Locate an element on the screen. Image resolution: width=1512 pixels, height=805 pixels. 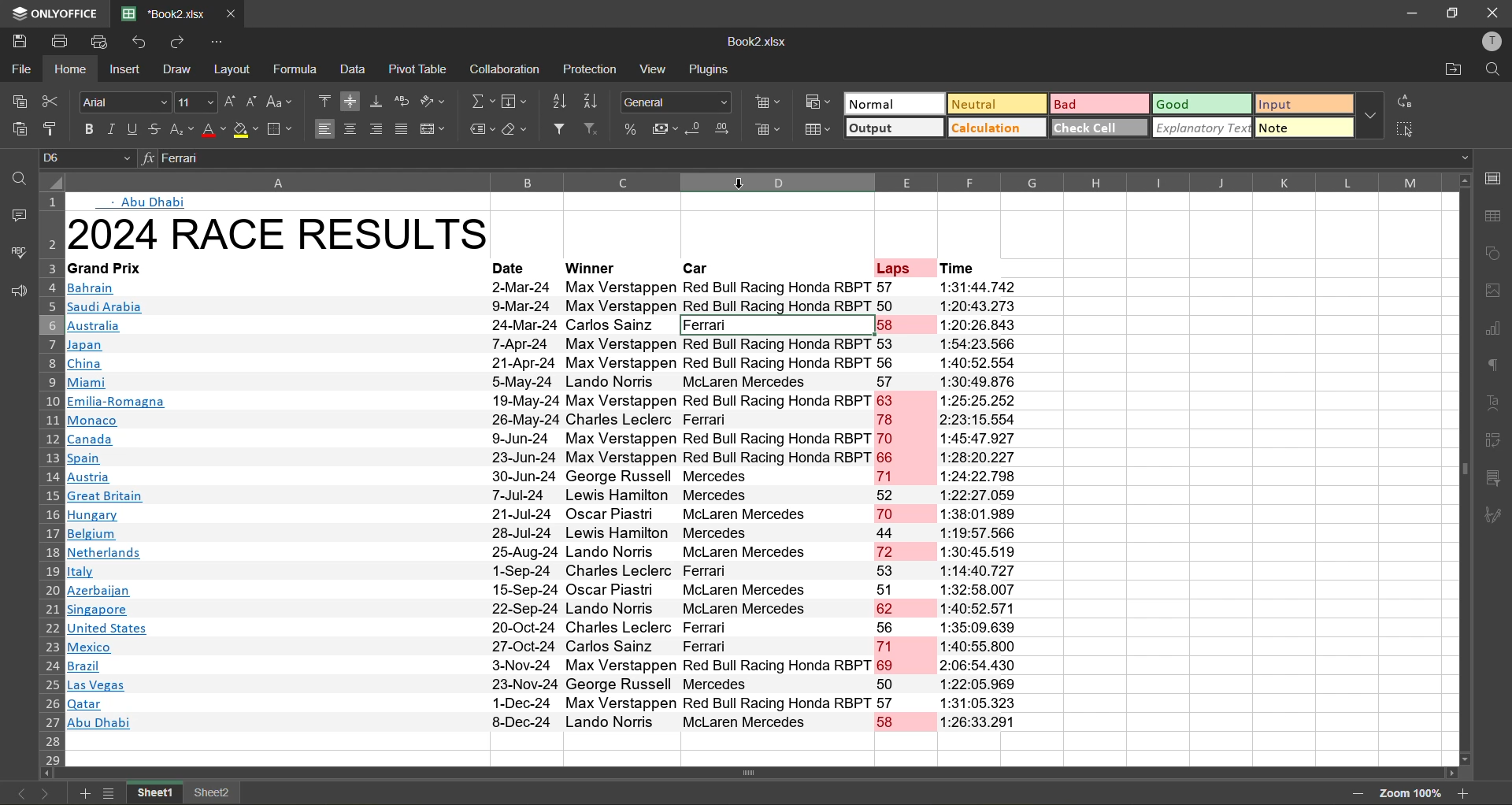
next is located at coordinates (43, 794).